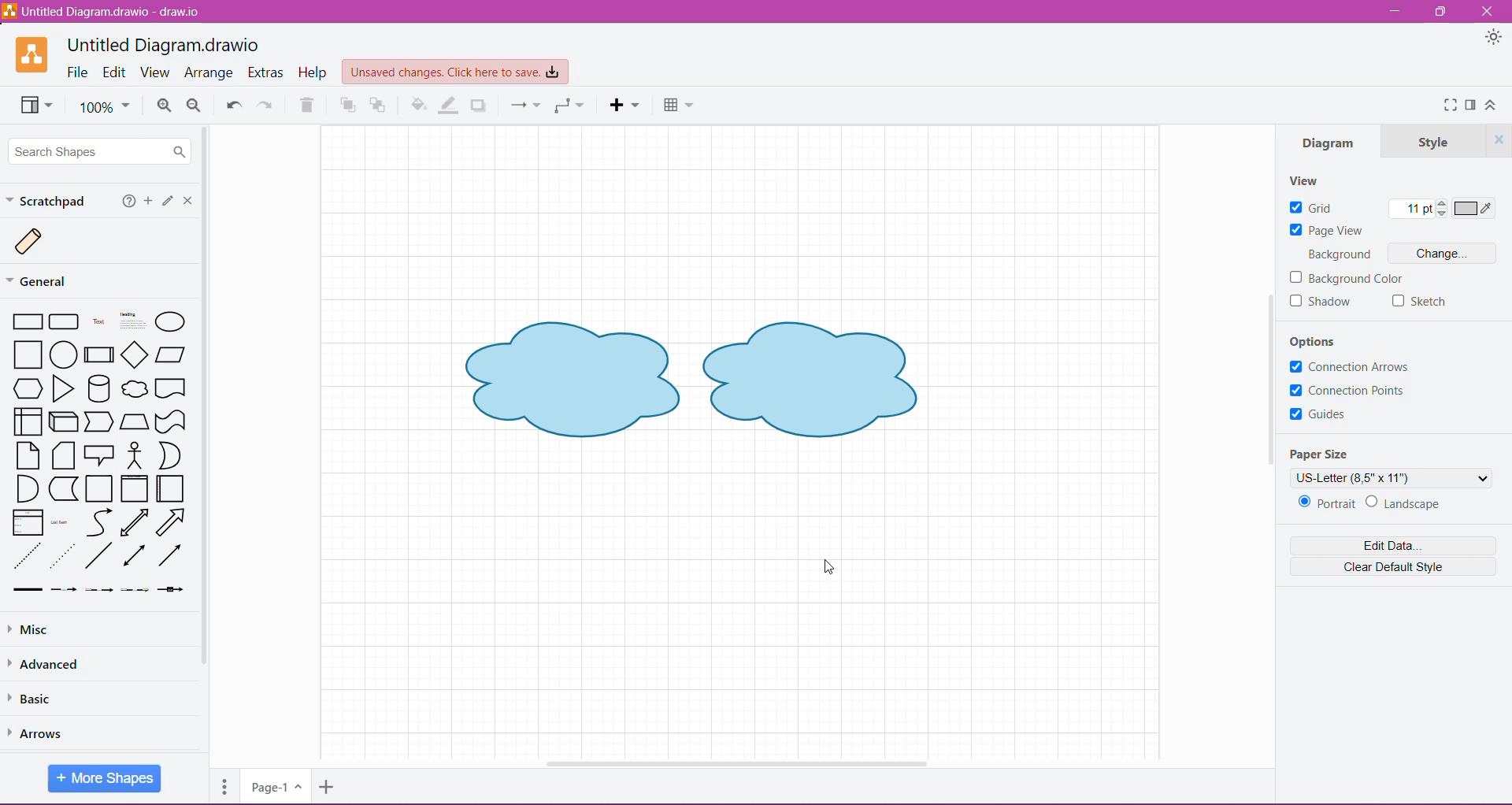 Image resolution: width=1512 pixels, height=805 pixels. What do you see at coordinates (306, 107) in the screenshot?
I see `Trash` at bounding box center [306, 107].